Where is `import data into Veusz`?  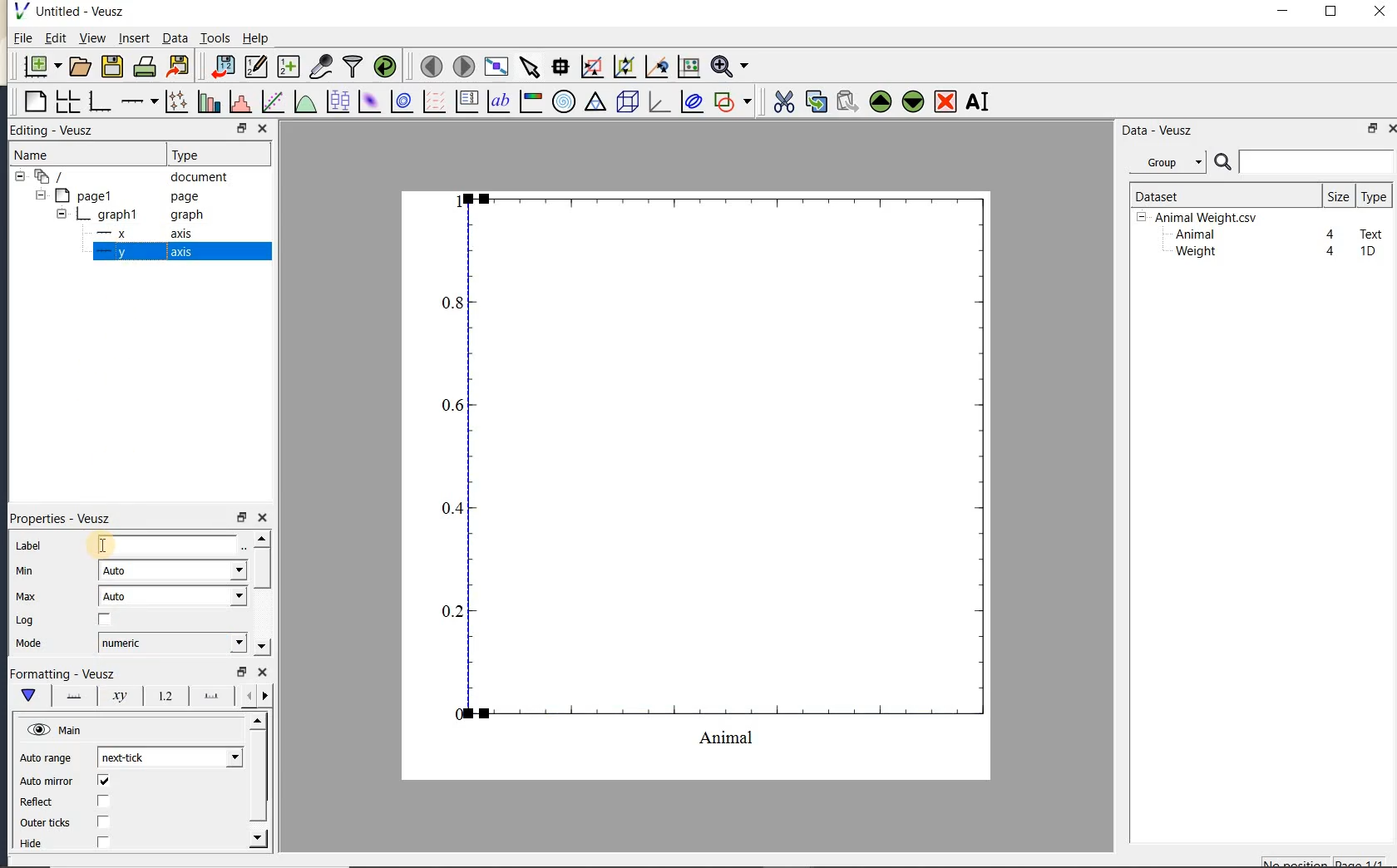
import data into Veusz is located at coordinates (223, 67).